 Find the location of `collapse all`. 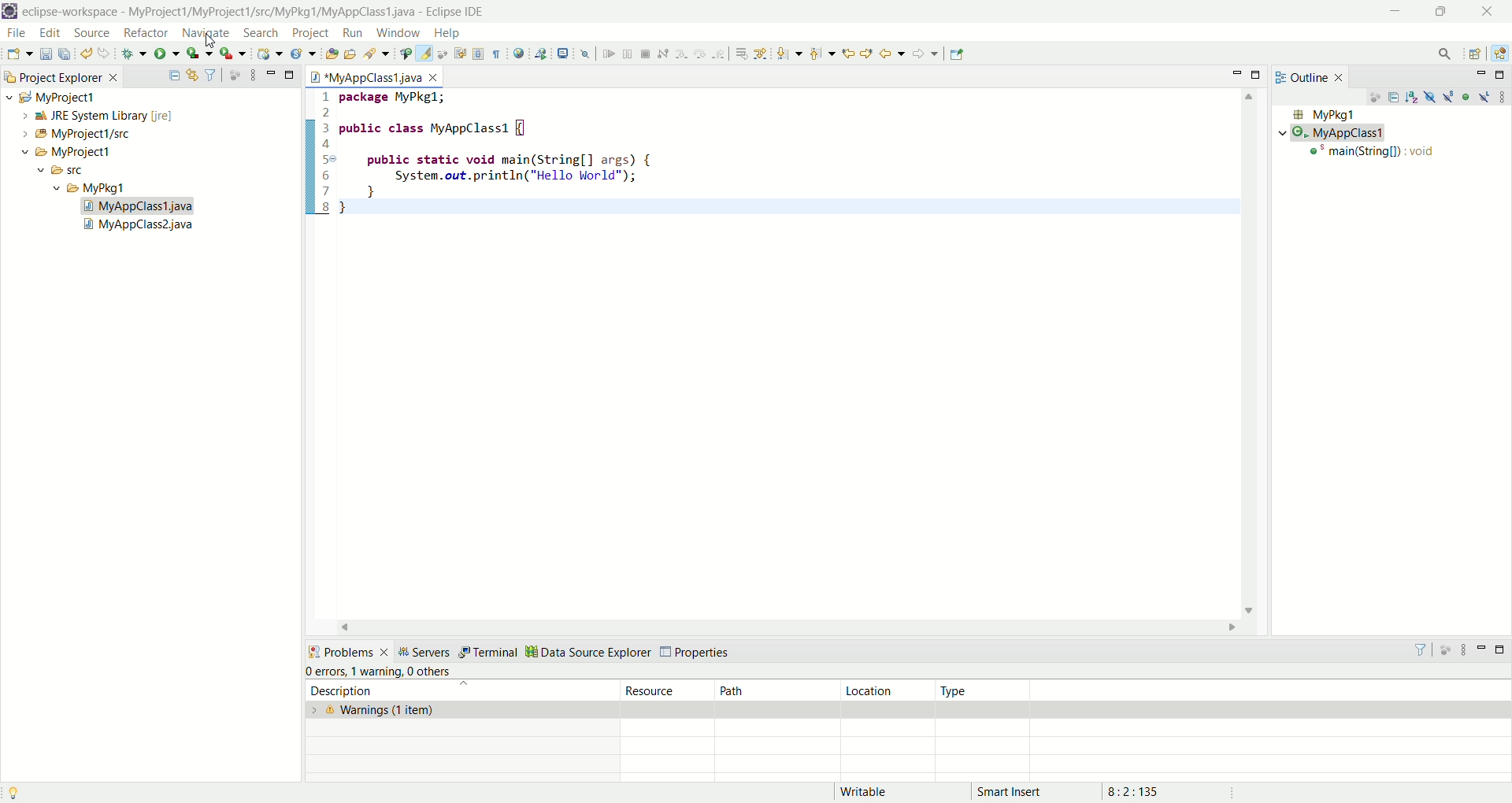

collapse all is located at coordinates (174, 76).